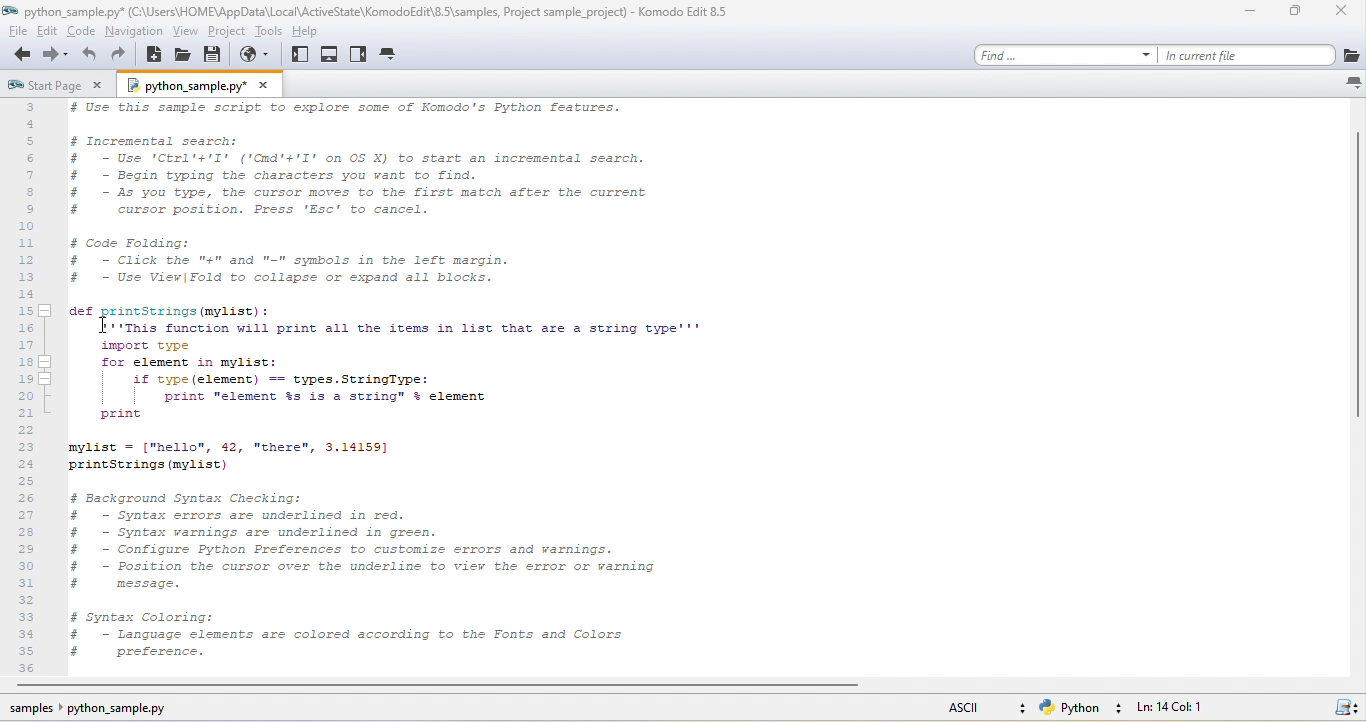  What do you see at coordinates (391, 55) in the screenshot?
I see `tab` at bounding box center [391, 55].